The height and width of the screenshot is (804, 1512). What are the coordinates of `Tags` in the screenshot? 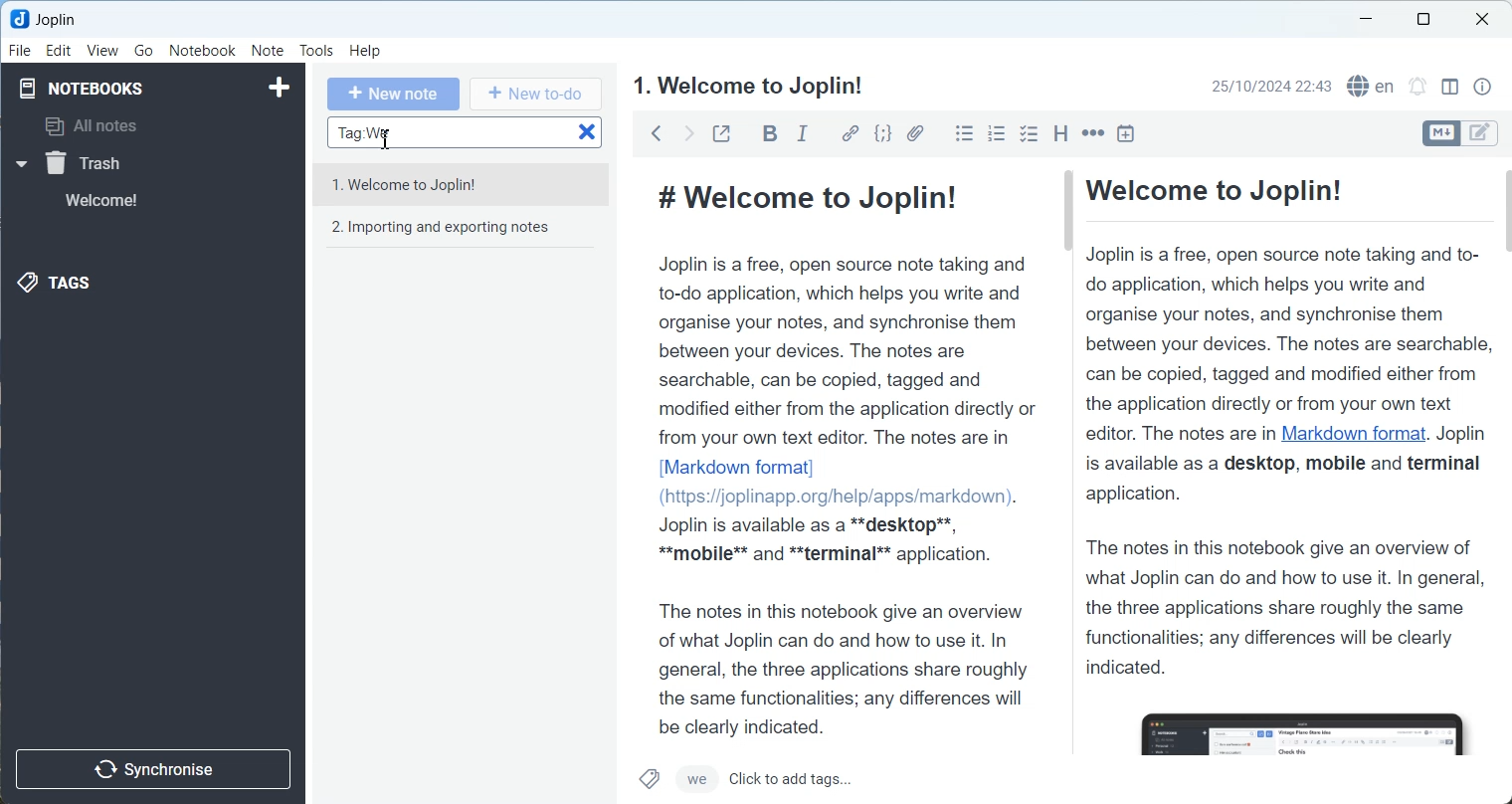 It's located at (648, 779).